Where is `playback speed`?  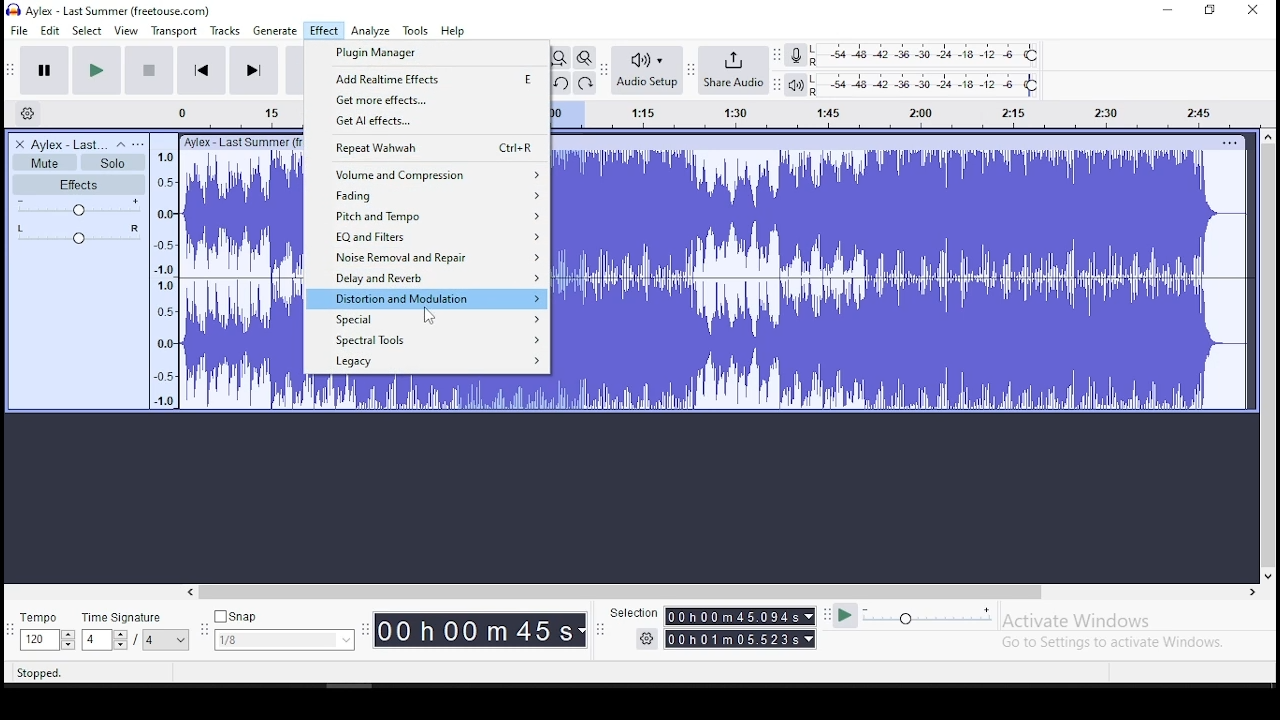
playback speed is located at coordinates (928, 617).